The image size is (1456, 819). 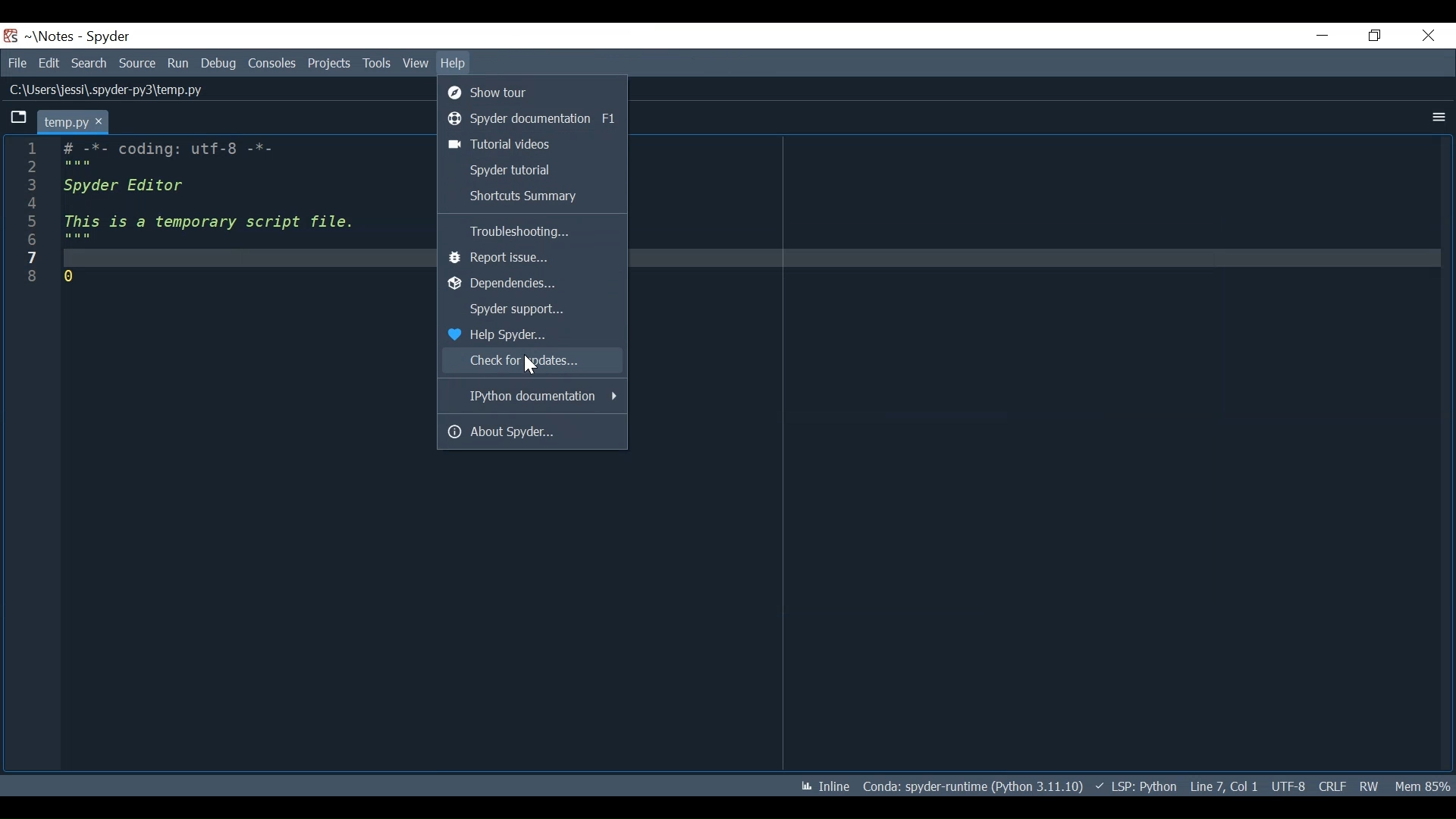 I want to click on Inline, so click(x=825, y=786).